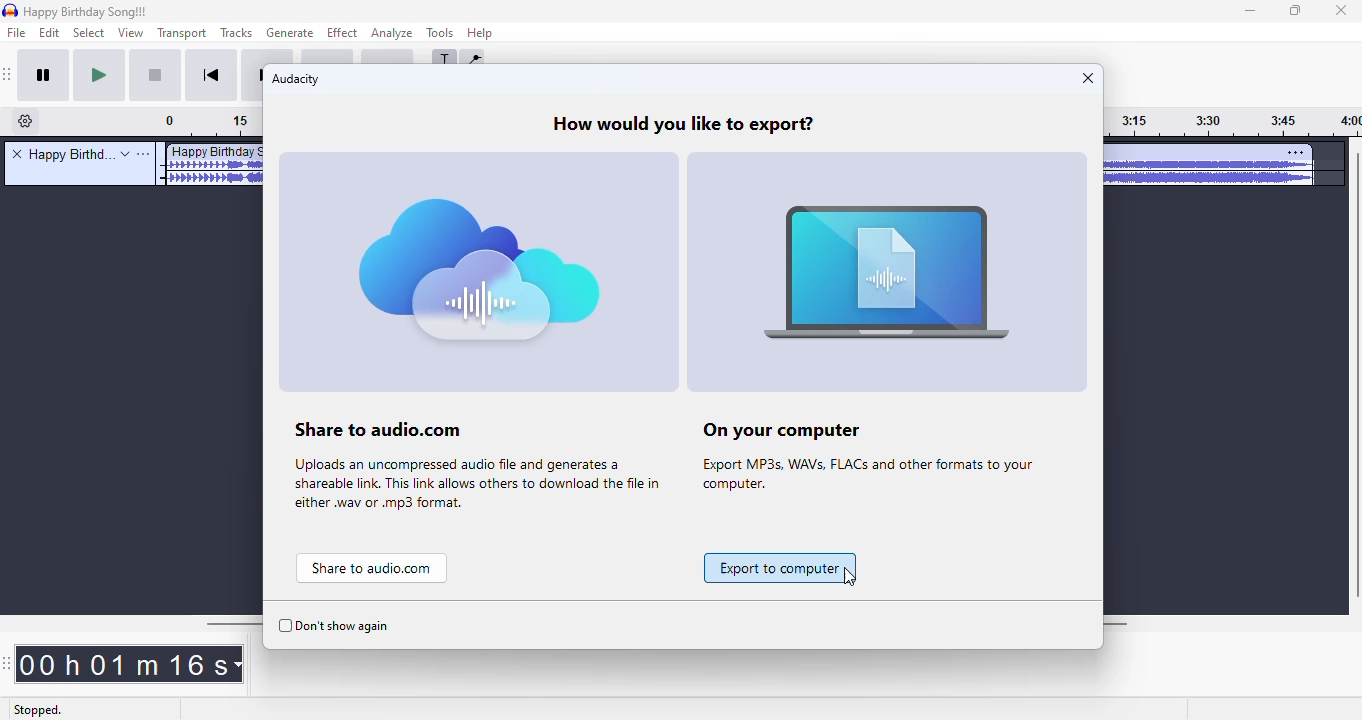 The image size is (1362, 720). I want to click on tools, so click(439, 33).